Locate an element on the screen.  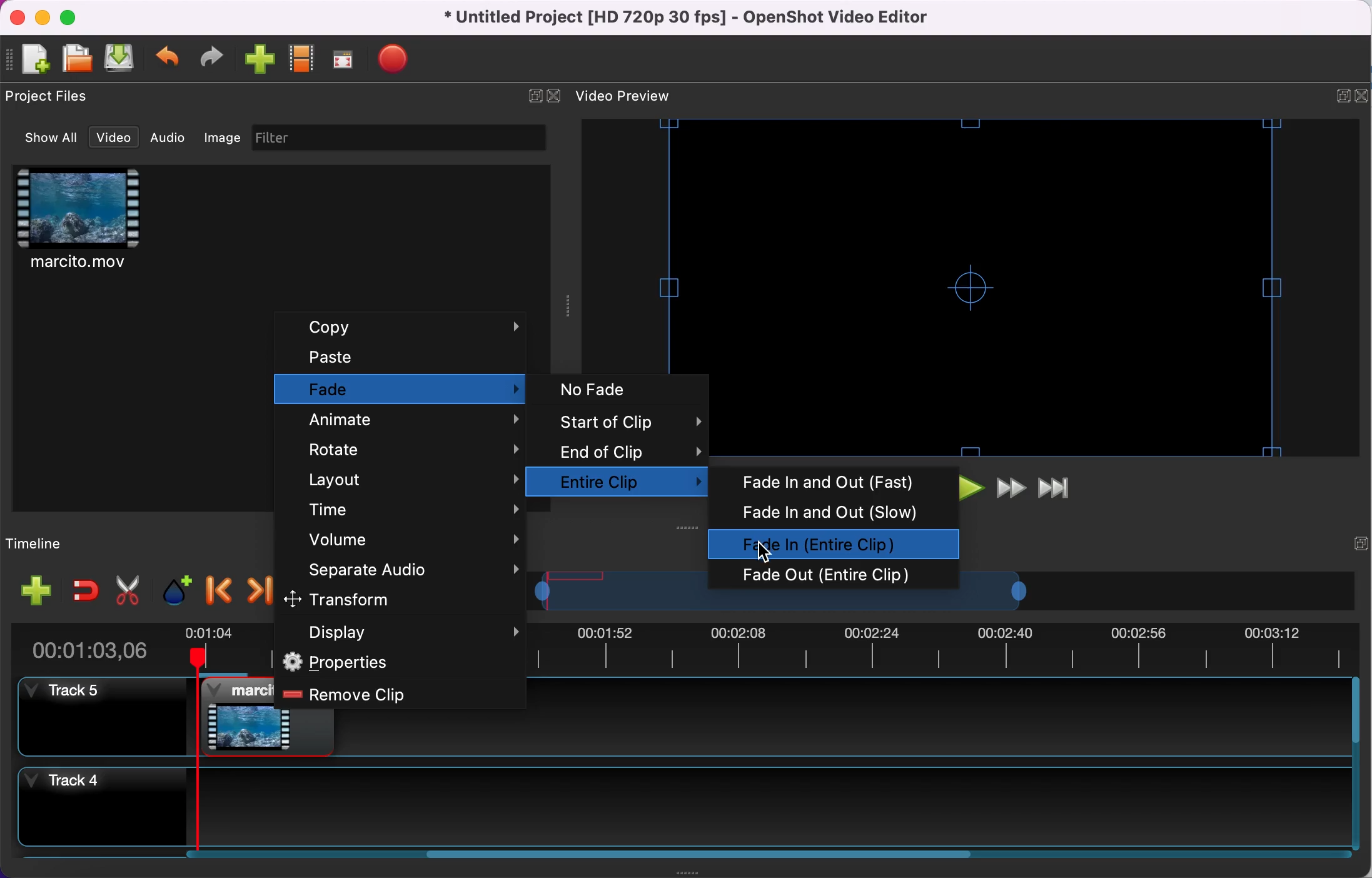
undo is located at coordinates (164, 58).